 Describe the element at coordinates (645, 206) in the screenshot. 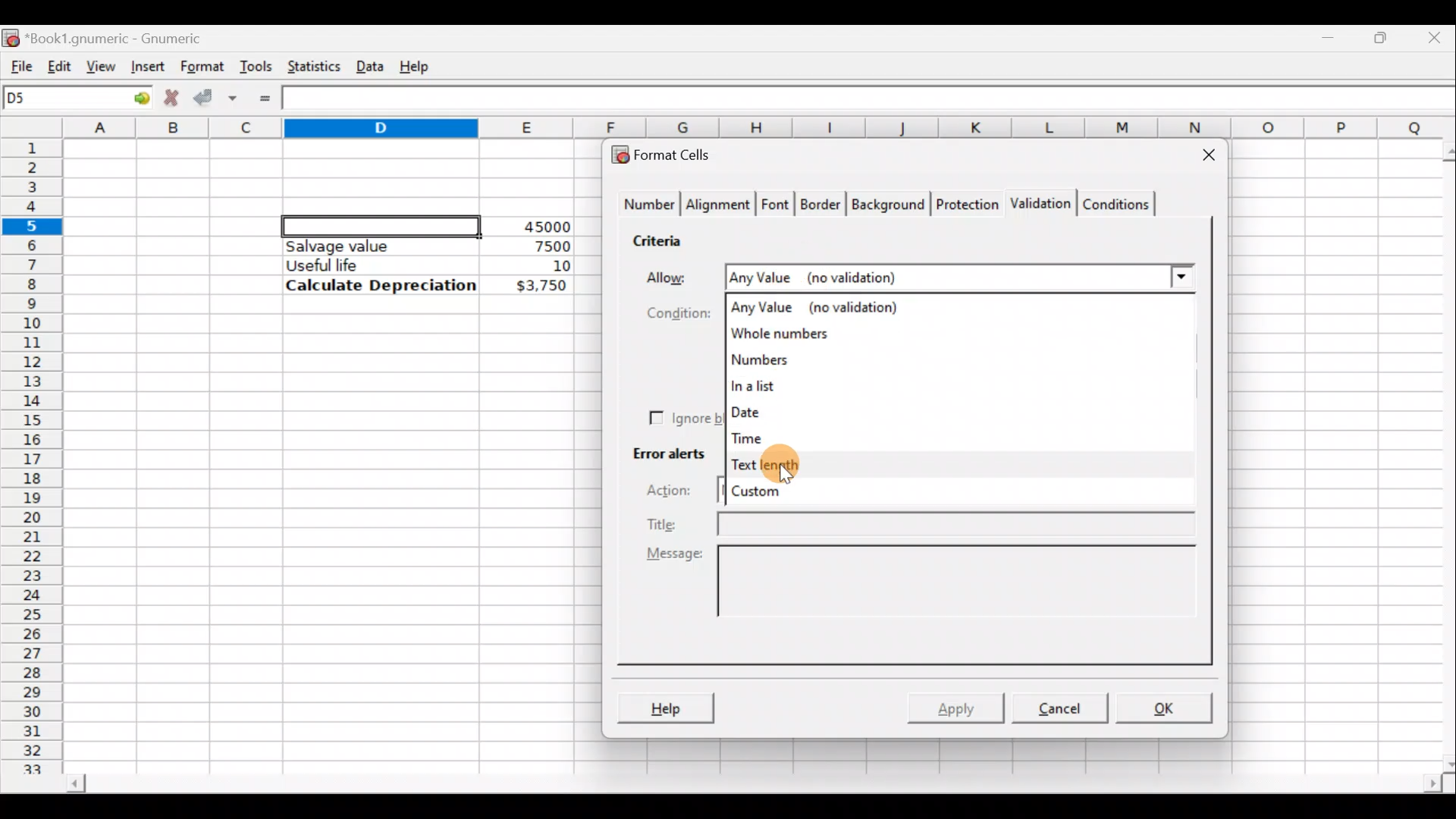

I see `Number` at that location.